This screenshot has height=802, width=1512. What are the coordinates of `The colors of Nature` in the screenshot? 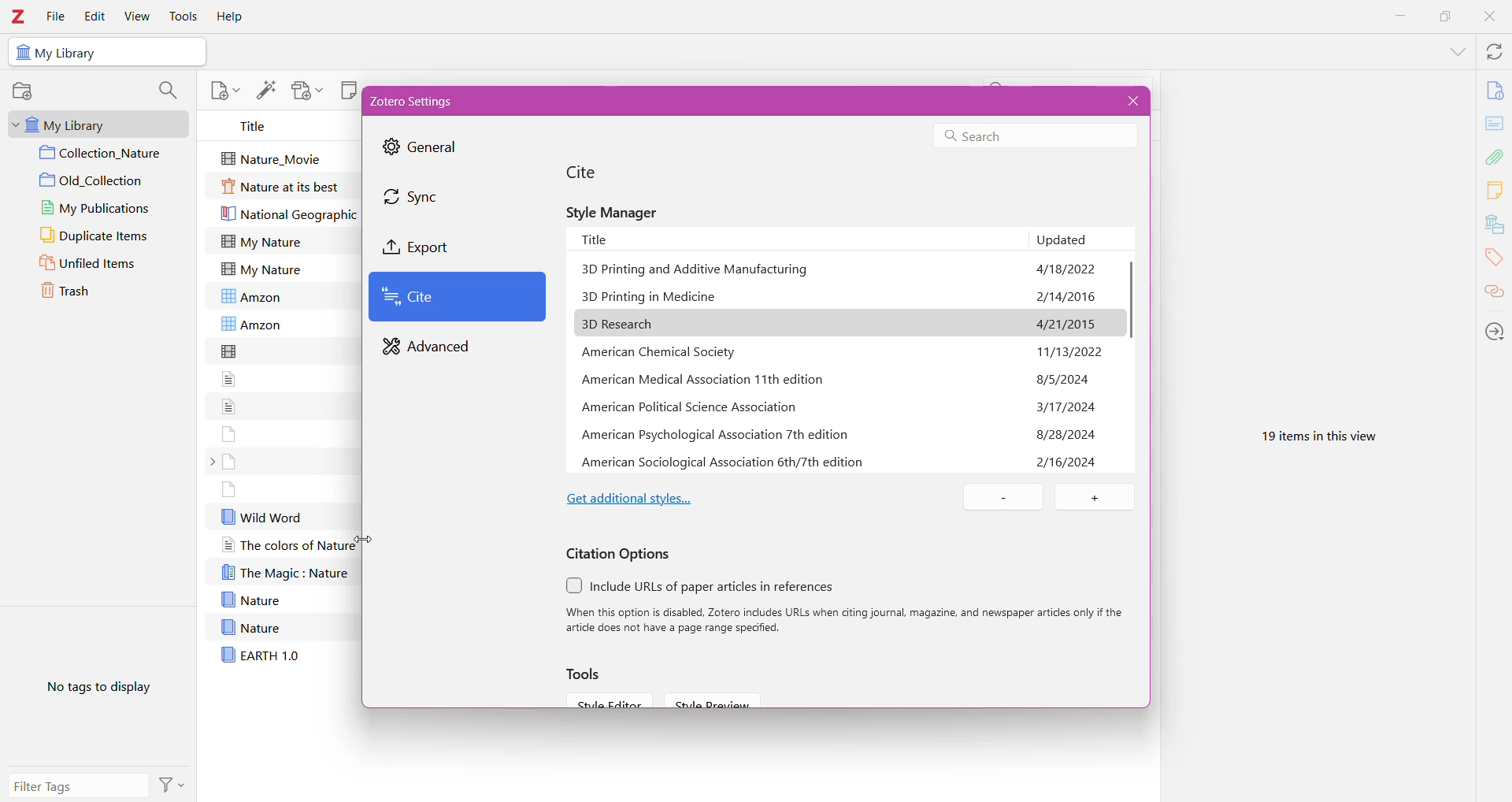 It's located at (287, 545).